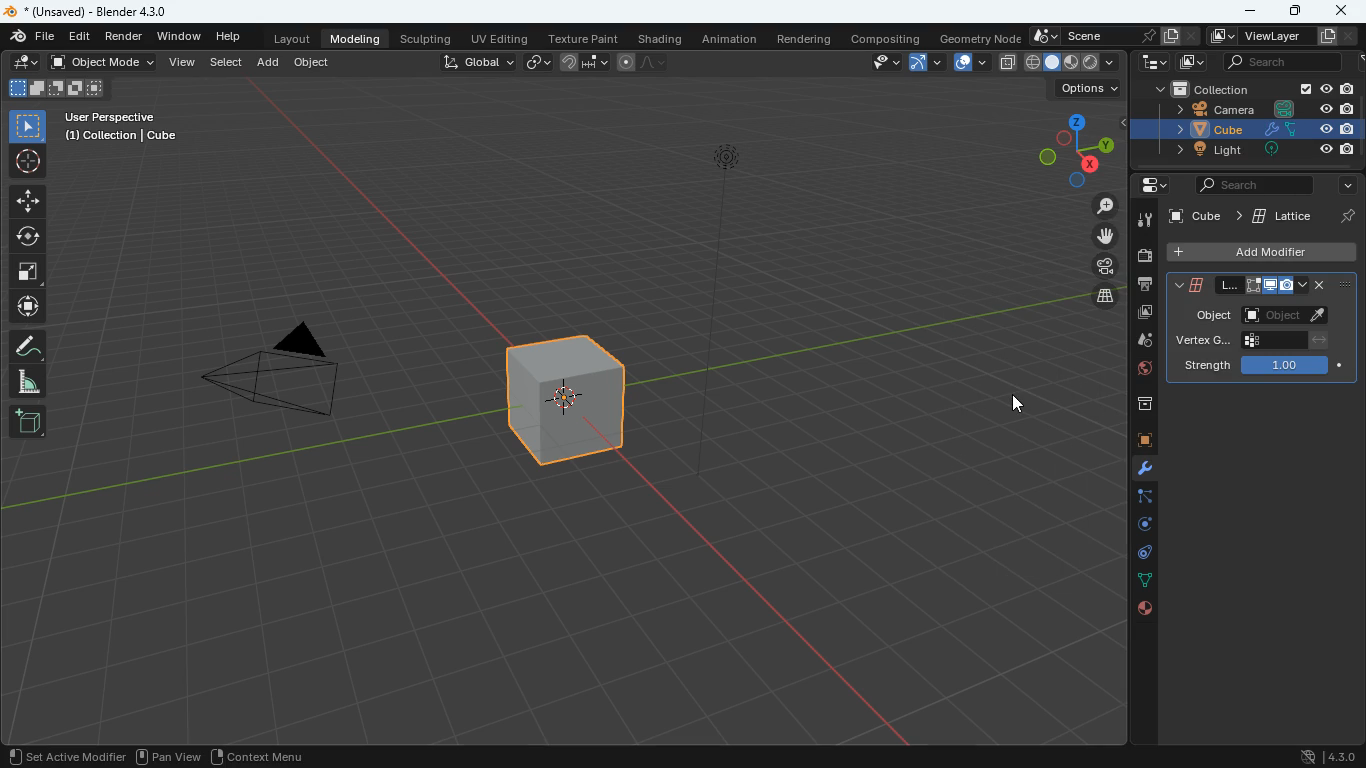 The image size is (1366, 768). Describe the element at coordinates (1248, 288) in the screenshot. I see `perks` at that location.